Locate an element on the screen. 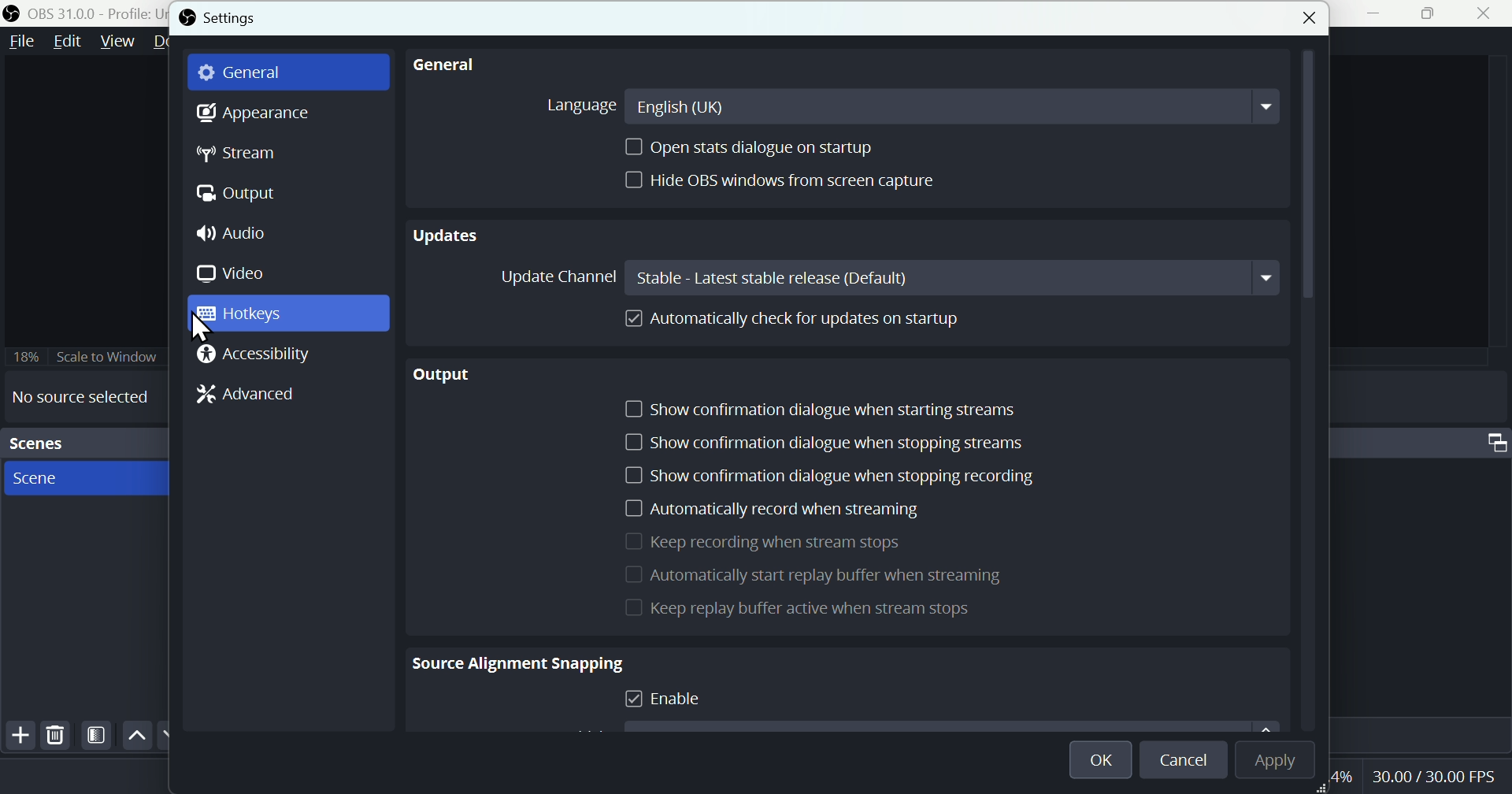  general is located at coordinates (456, 65).